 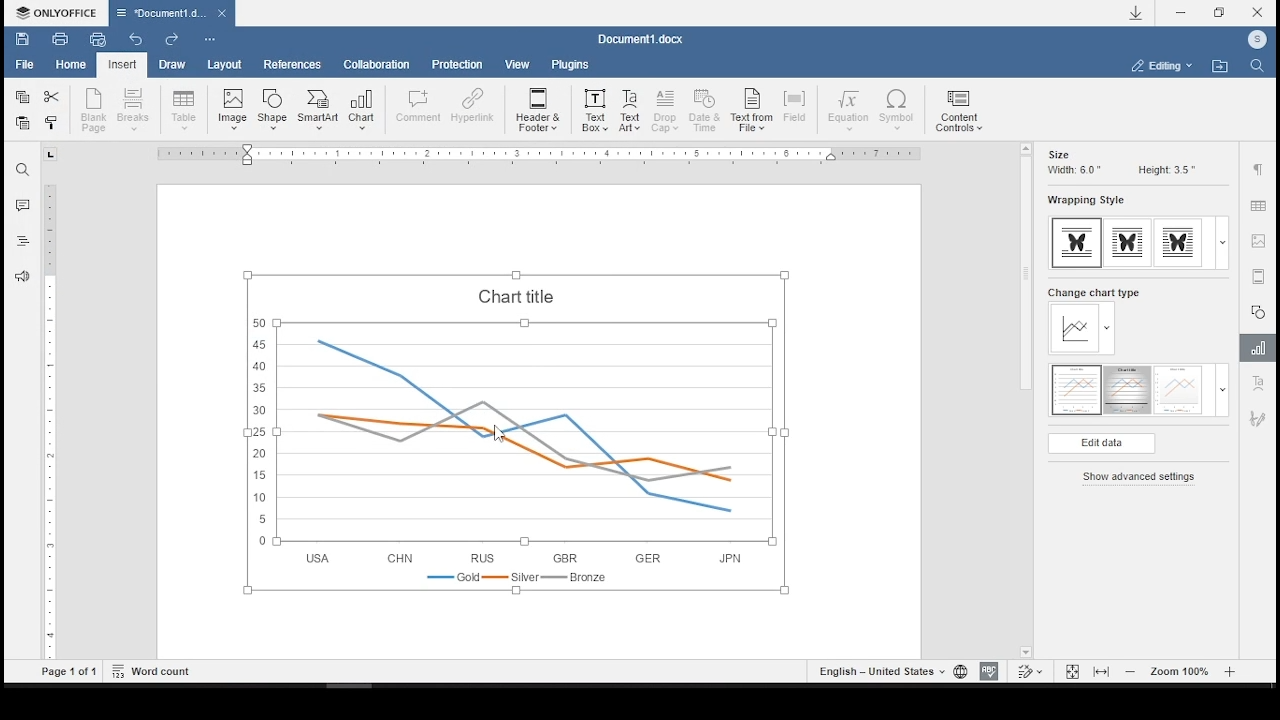 I want to click on signature, so click(x=1260, y=418).